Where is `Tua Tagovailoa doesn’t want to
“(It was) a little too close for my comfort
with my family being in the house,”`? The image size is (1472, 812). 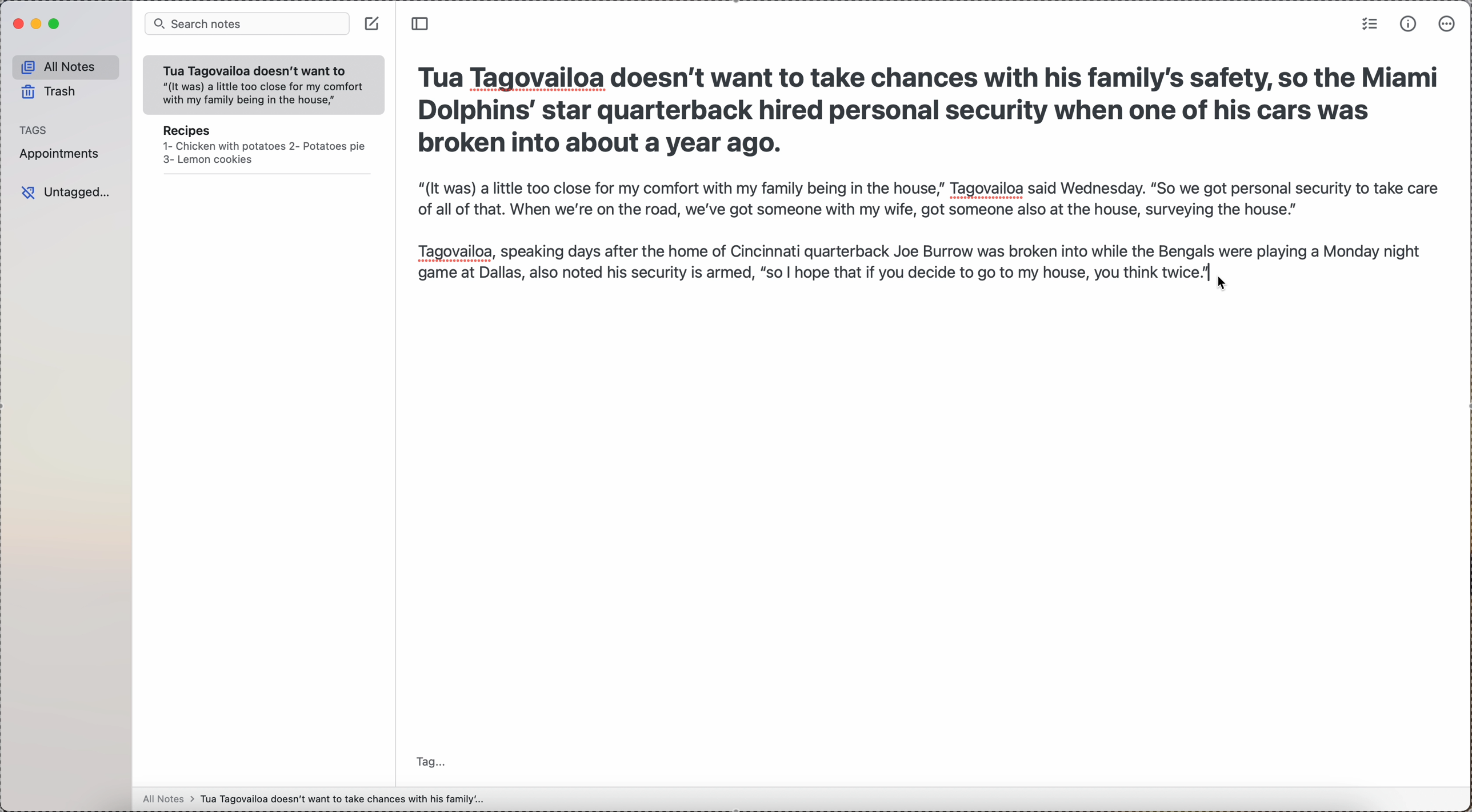
Tua Tagovailoa doesn’t want to
“(It was) a little too close for my comfort
with my family being in the house,” is located at coordinates (258, 83).